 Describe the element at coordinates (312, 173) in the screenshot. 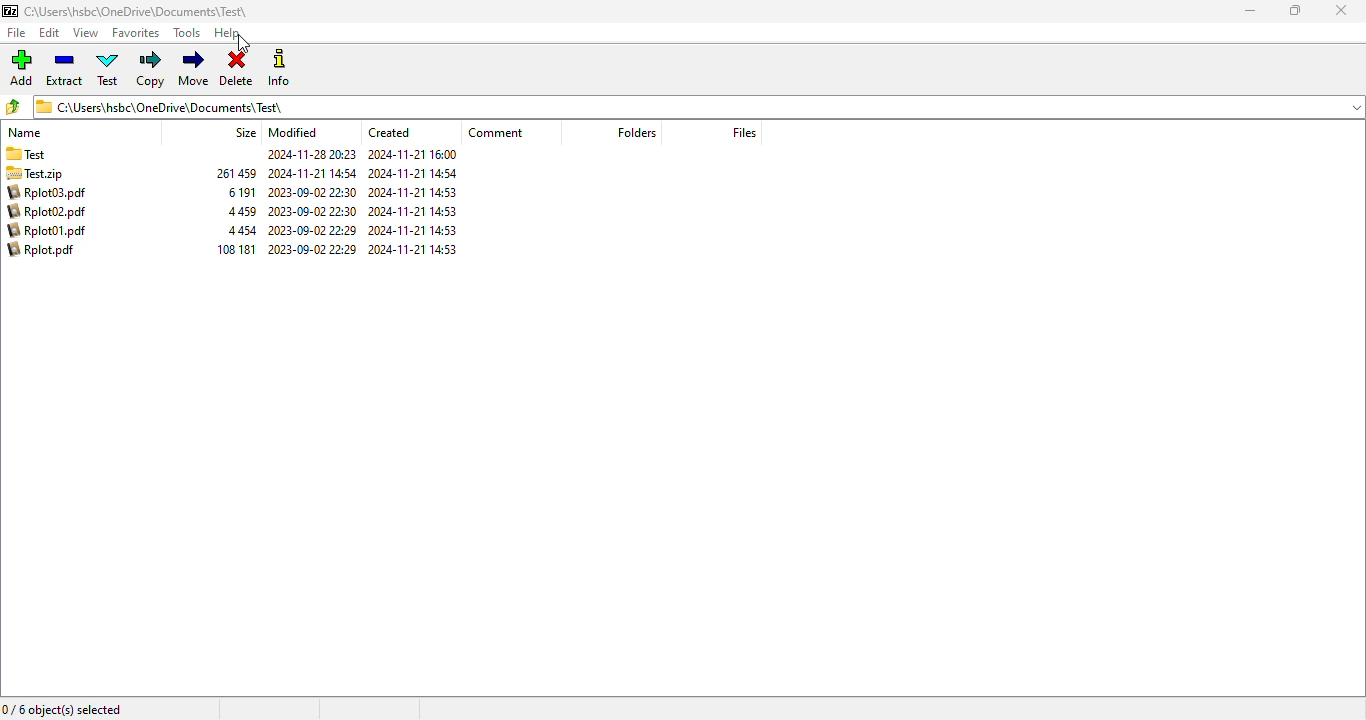

I see `2024-11-21 14:54` at that location.